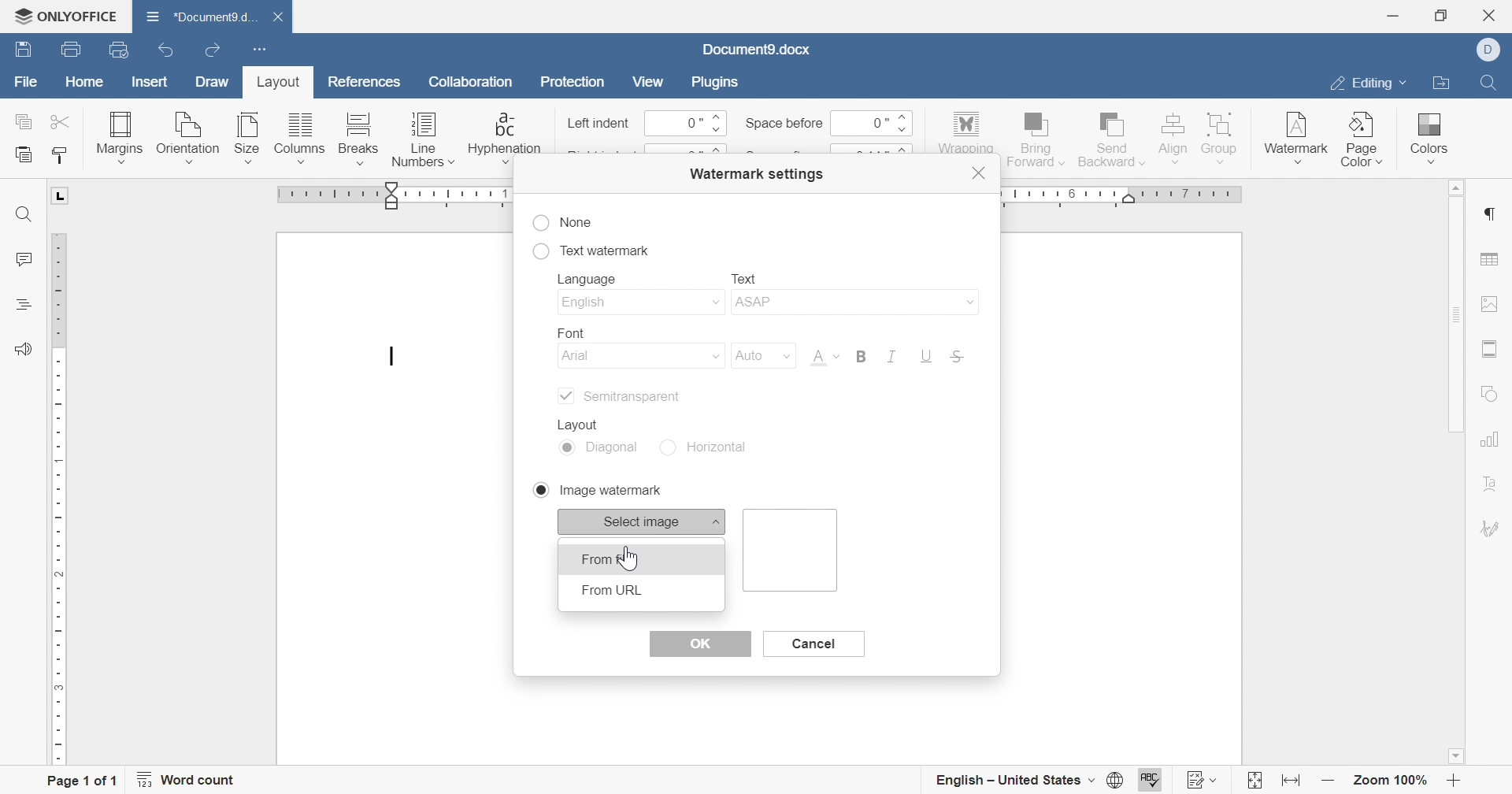 This screenshot has width=1512, height=794. I want to click on layout, so click(584, 422).